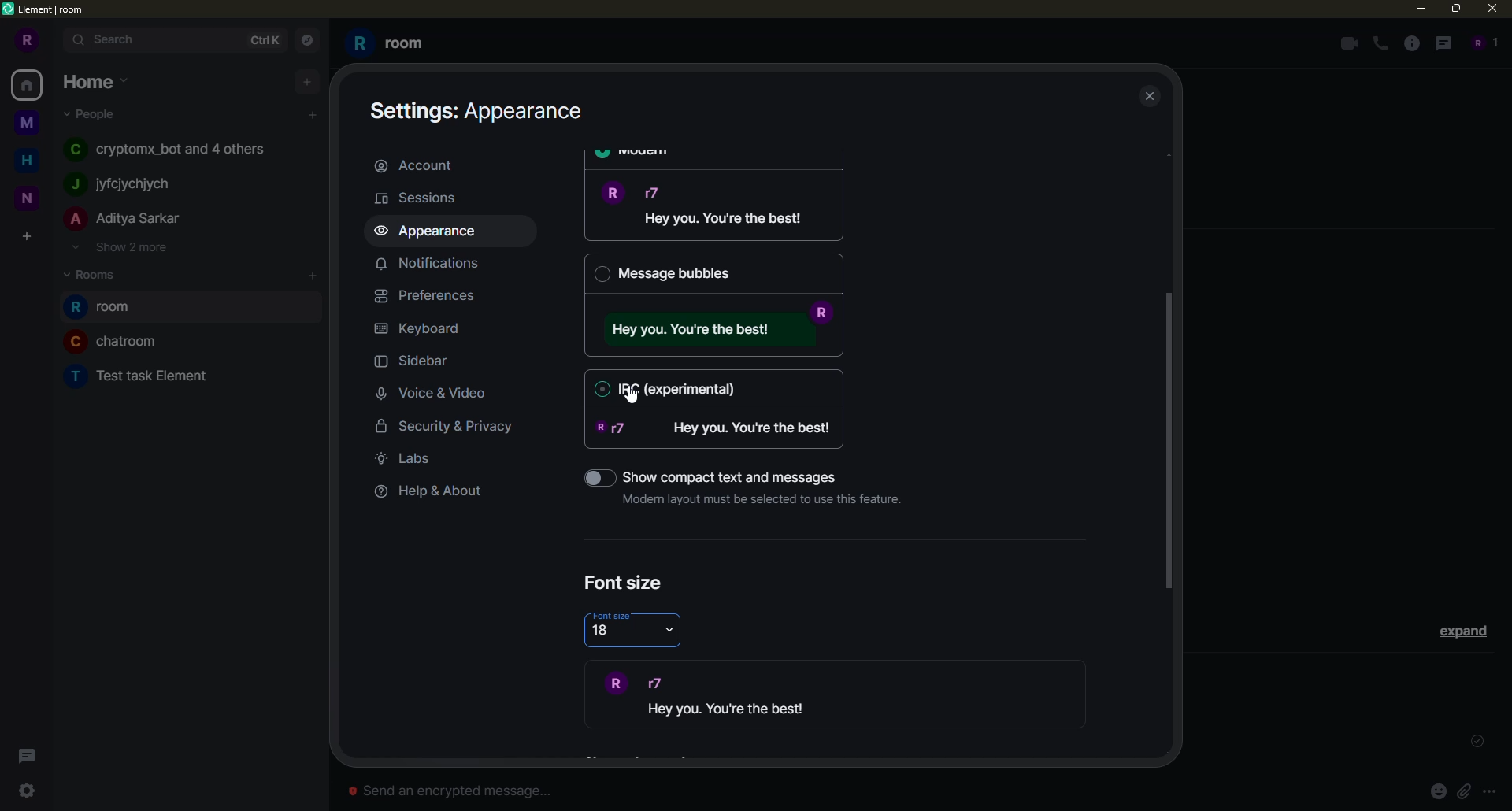 The image size is (1512, 811). What do you see at coordinates (746, 725) in the screenshot?
I see `demo` at bounding box center [746, 725].